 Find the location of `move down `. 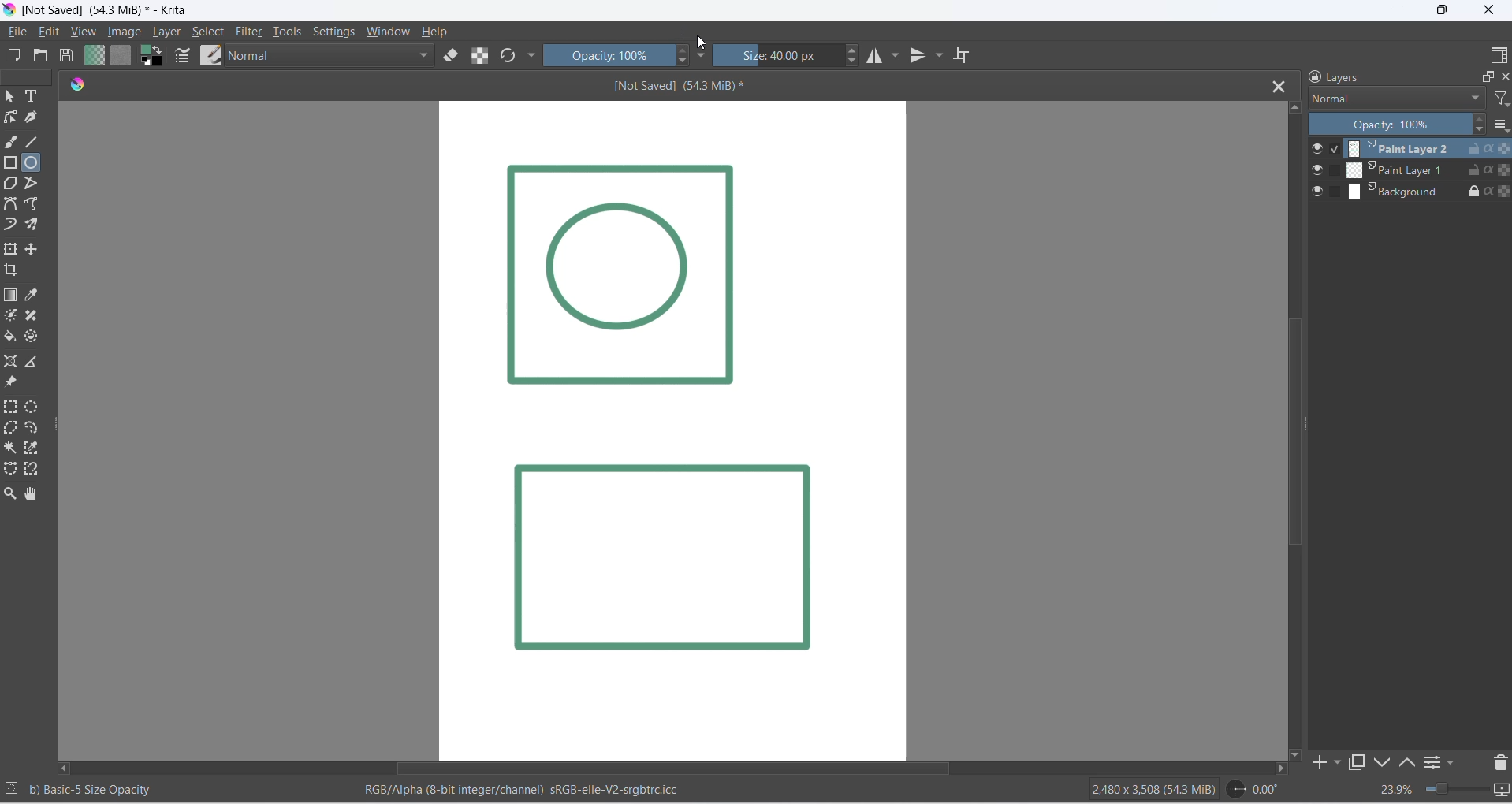

move down  is located at coordinates (1296, 754).